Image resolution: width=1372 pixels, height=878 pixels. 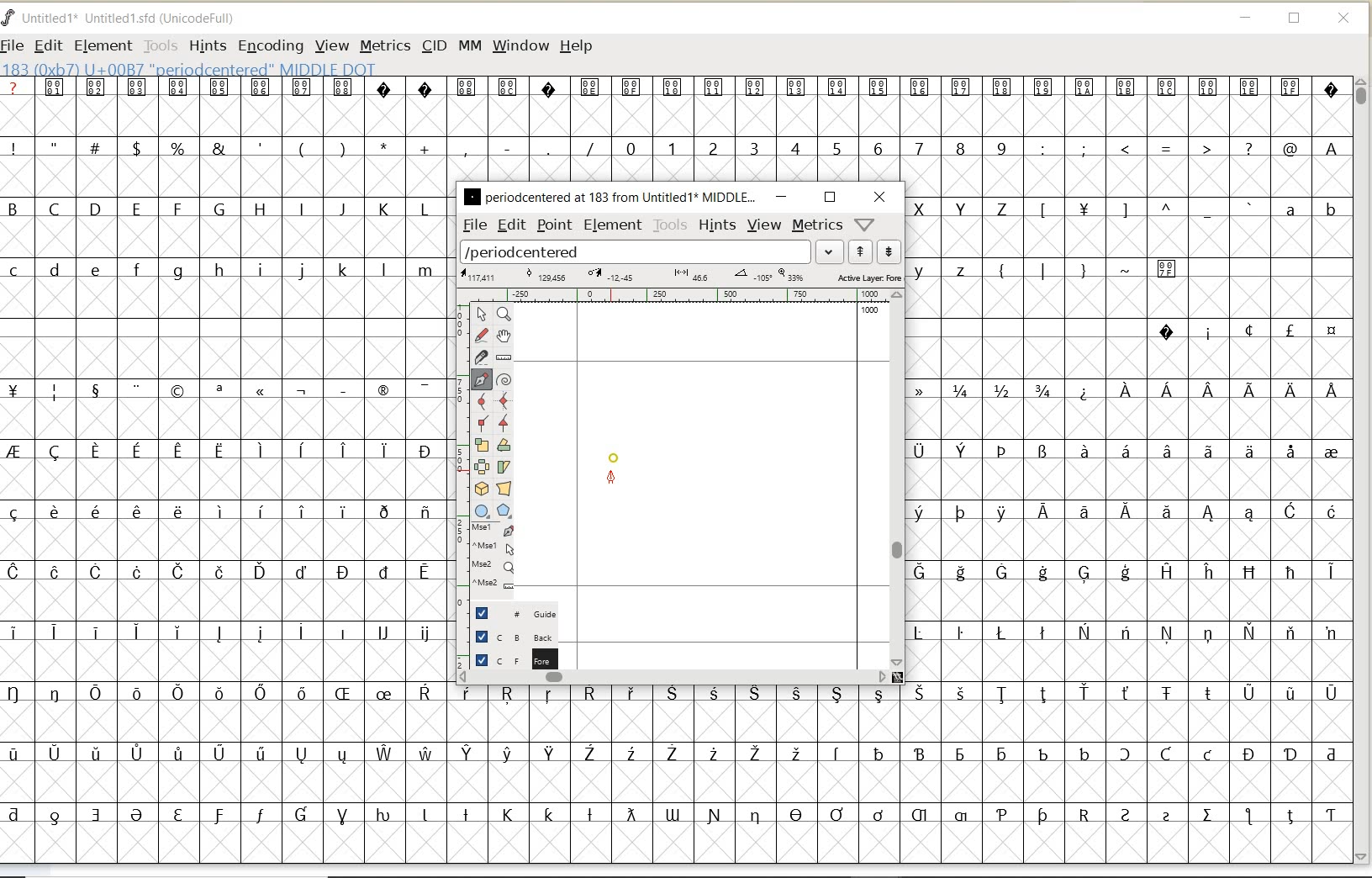 I want to click on METRICS, so click(x=384, y=47).